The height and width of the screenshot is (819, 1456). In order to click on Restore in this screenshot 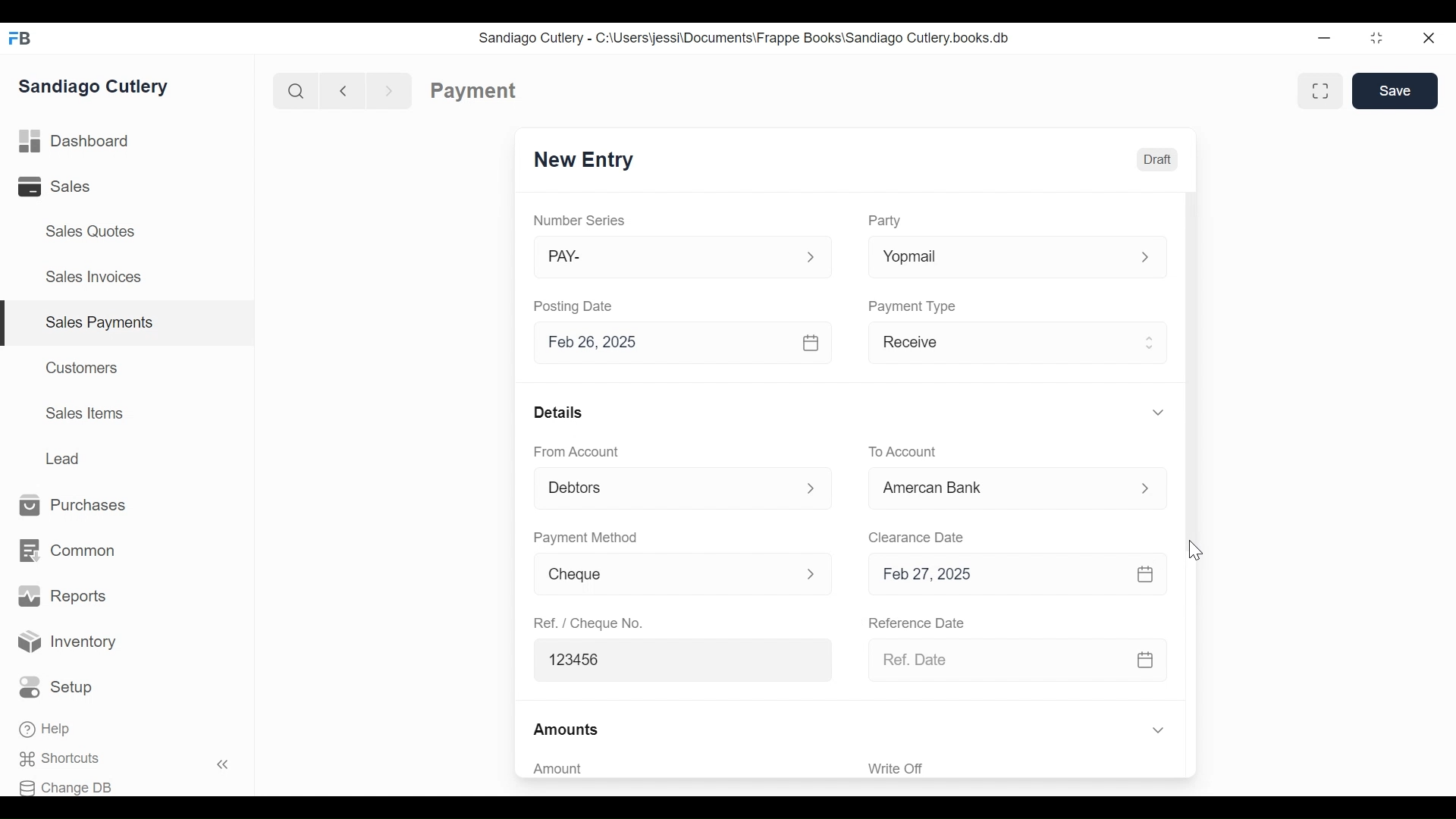, I will do `click(1376, 39)`.